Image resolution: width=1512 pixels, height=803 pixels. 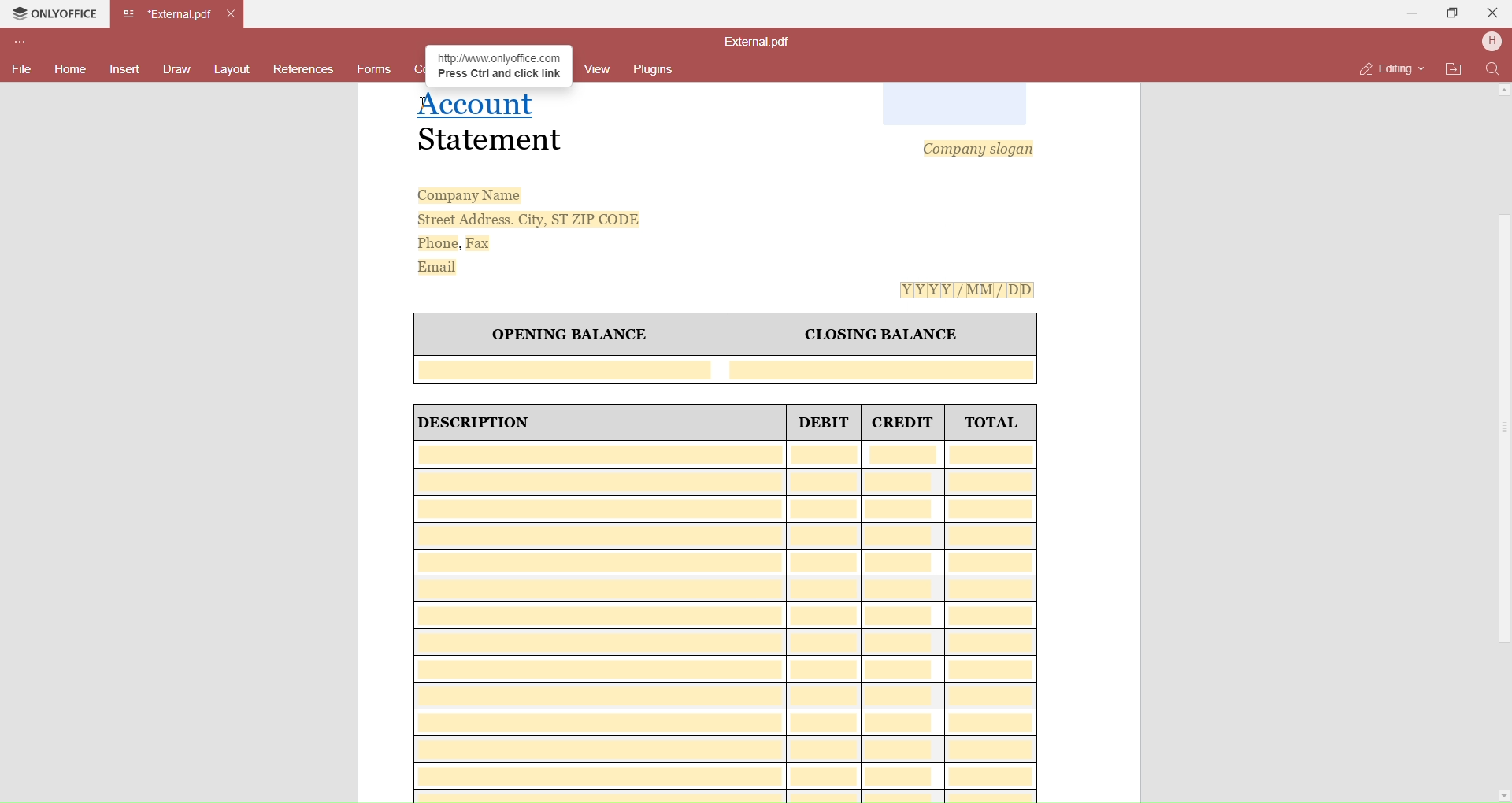 What do you see at coordinates (1493, 12) in the screenshot?
I see `Close` at bounding box center [1493, 12].